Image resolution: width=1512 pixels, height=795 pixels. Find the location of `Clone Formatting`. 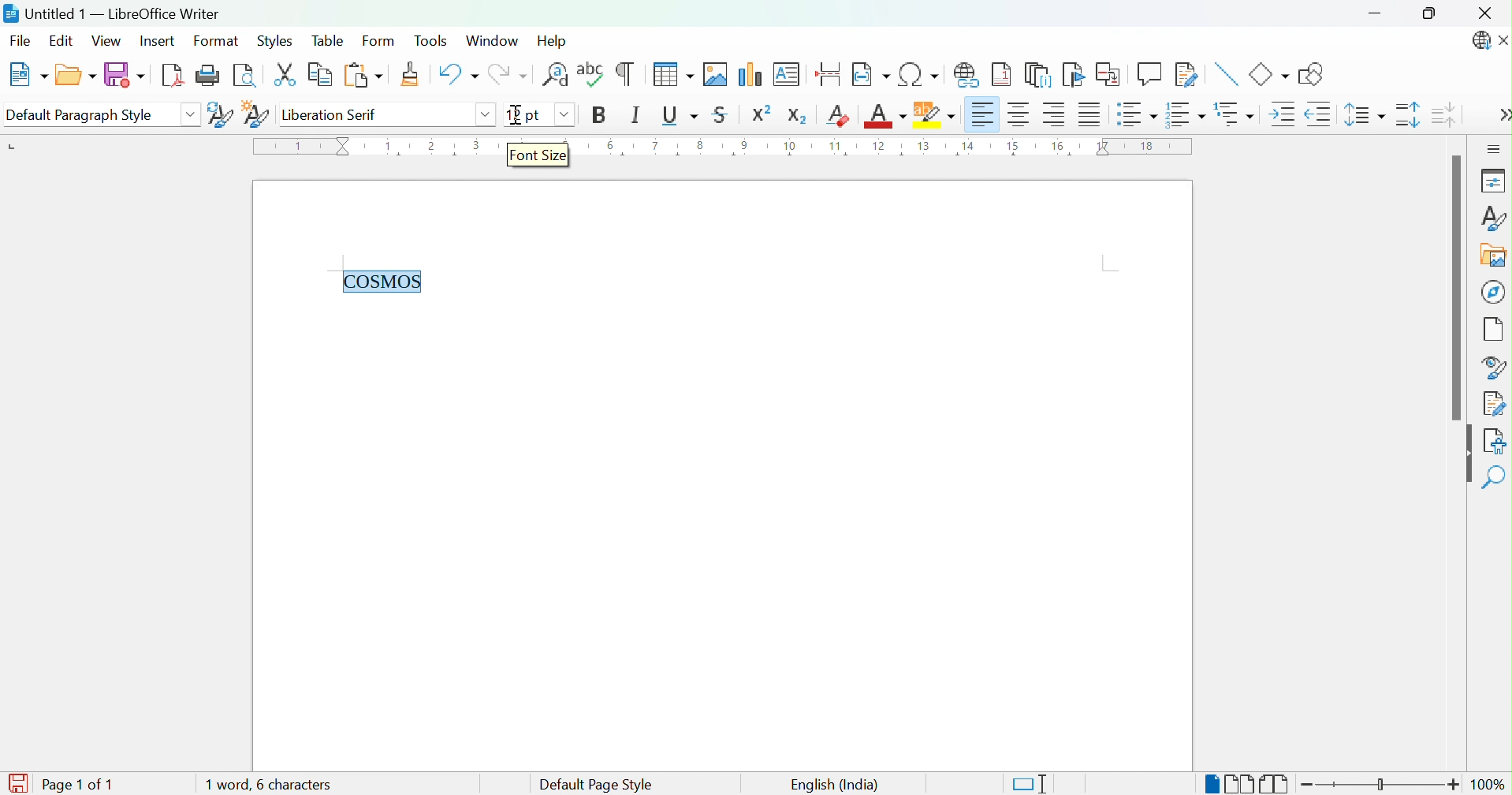

Clone Formatting is located at coordinates (413, 75).